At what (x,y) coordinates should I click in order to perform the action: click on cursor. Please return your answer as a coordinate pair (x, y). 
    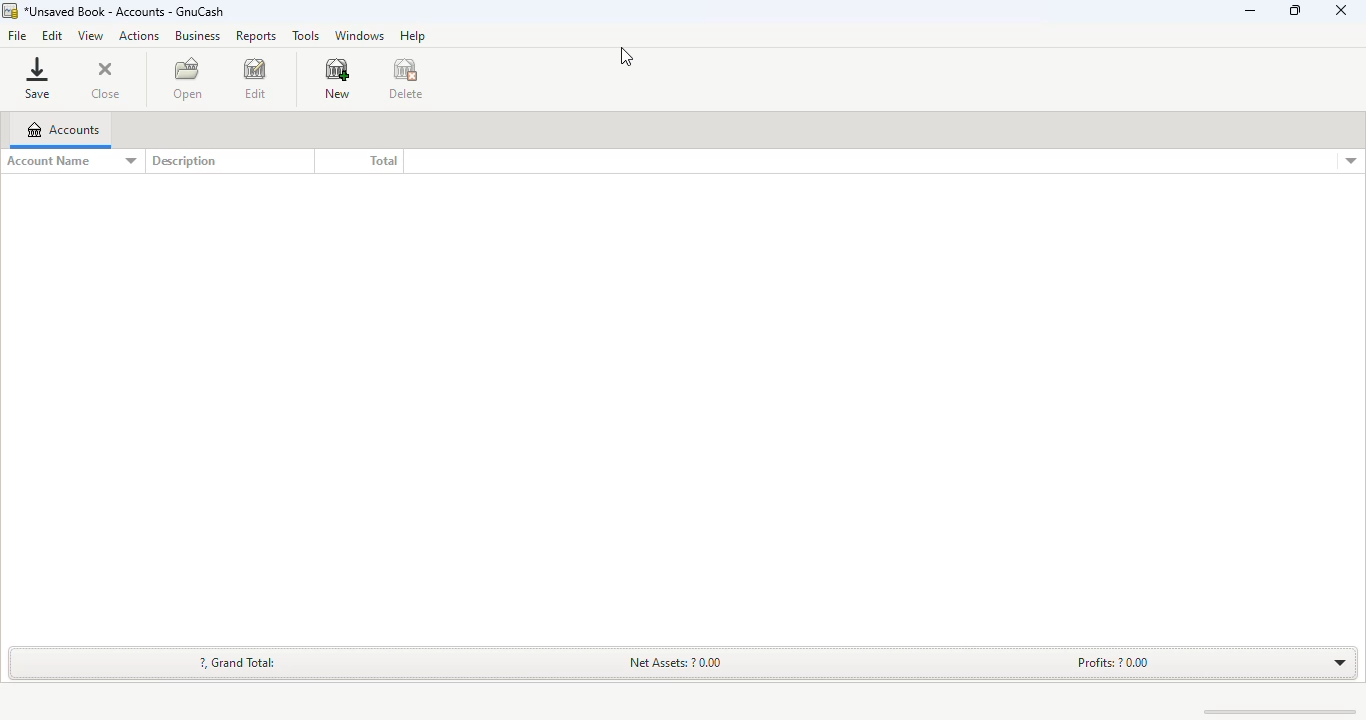
    Looking at the image, I should click on (627, 58).